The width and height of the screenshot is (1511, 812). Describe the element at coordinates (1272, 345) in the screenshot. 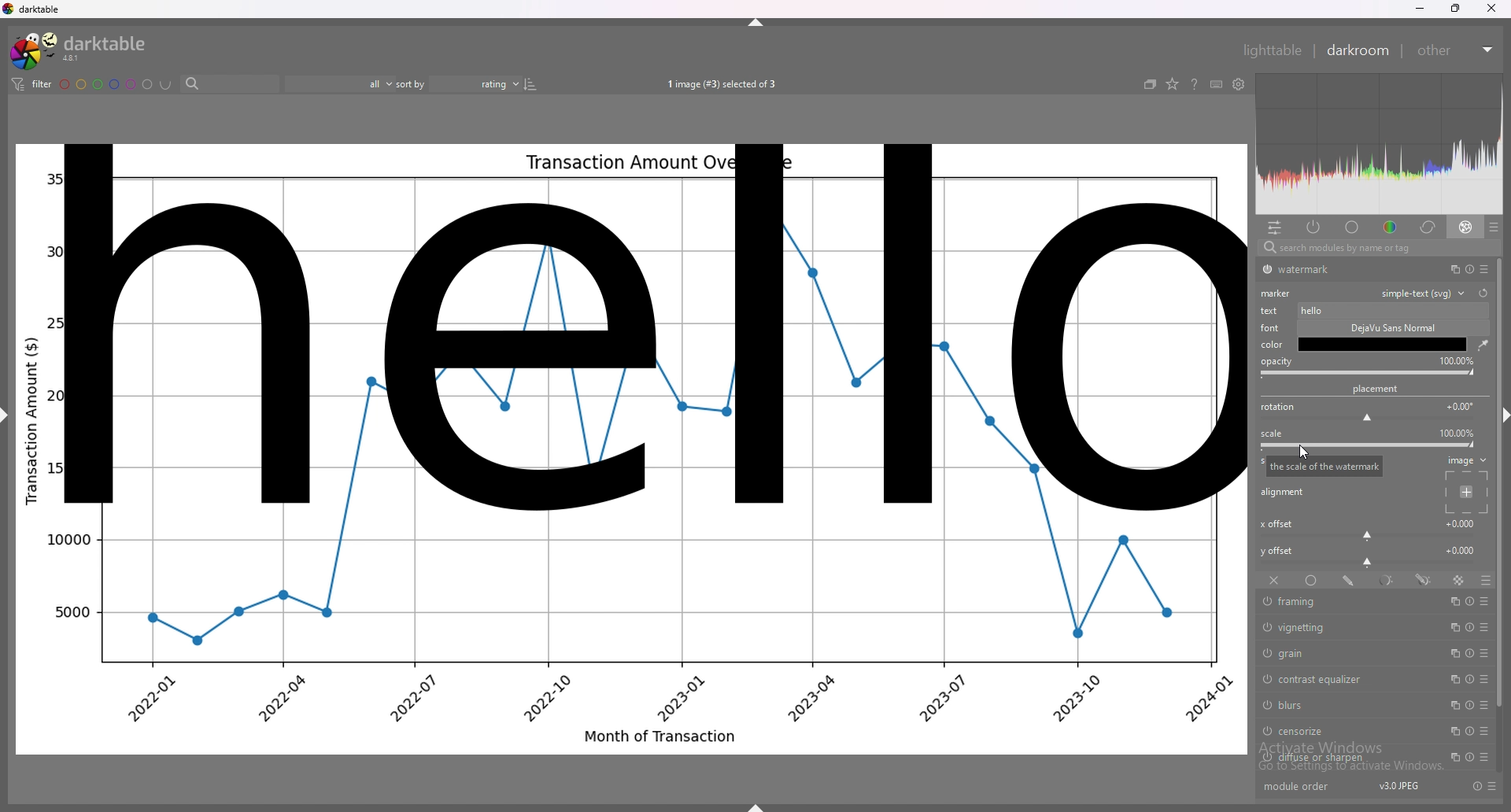

I see `color` at that location.